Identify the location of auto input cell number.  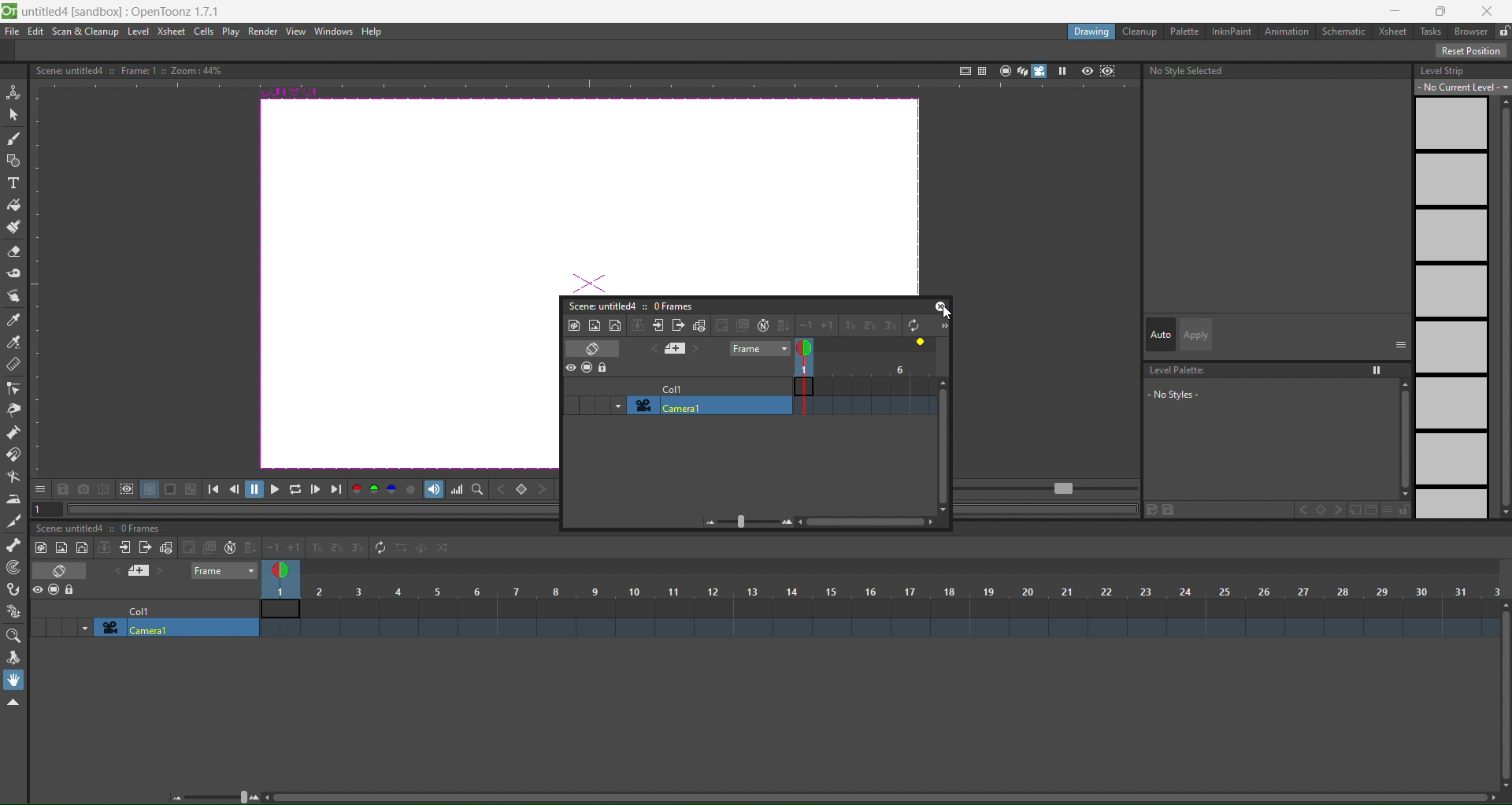
(227, 548).